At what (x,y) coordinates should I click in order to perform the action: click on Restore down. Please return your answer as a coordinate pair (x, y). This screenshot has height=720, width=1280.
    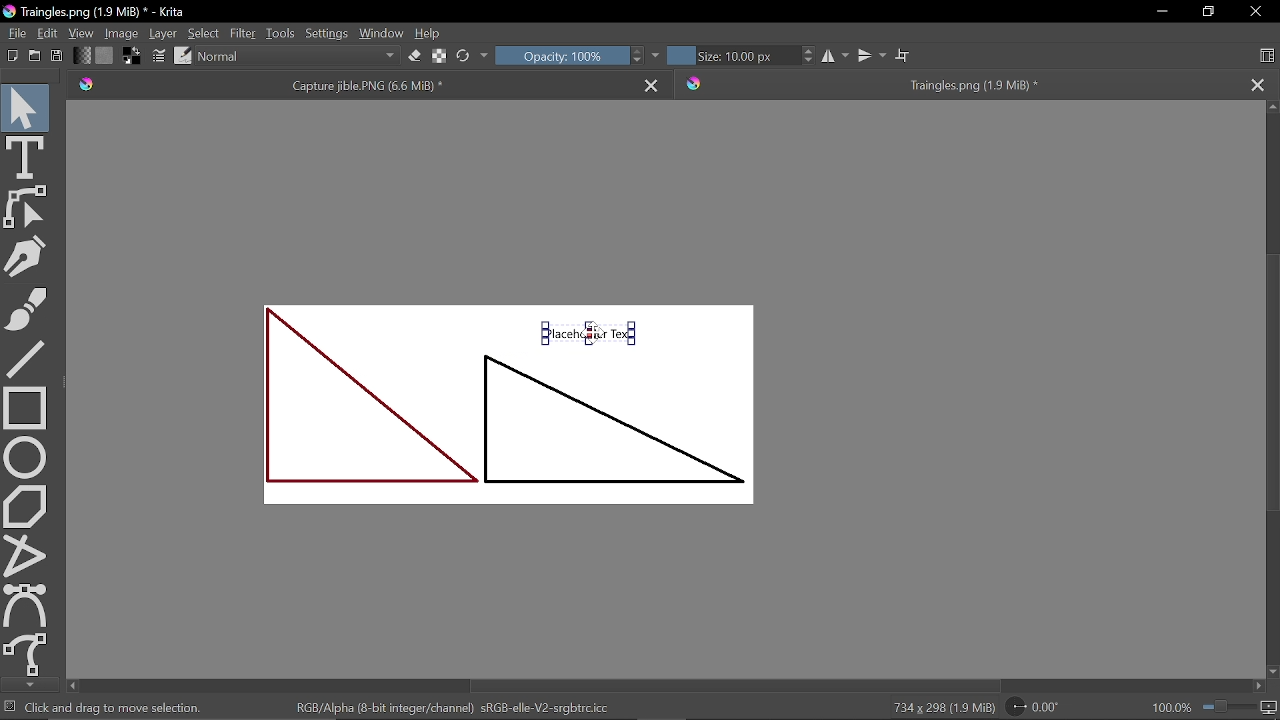
    Looking at the image, I should click on (1206, 12).